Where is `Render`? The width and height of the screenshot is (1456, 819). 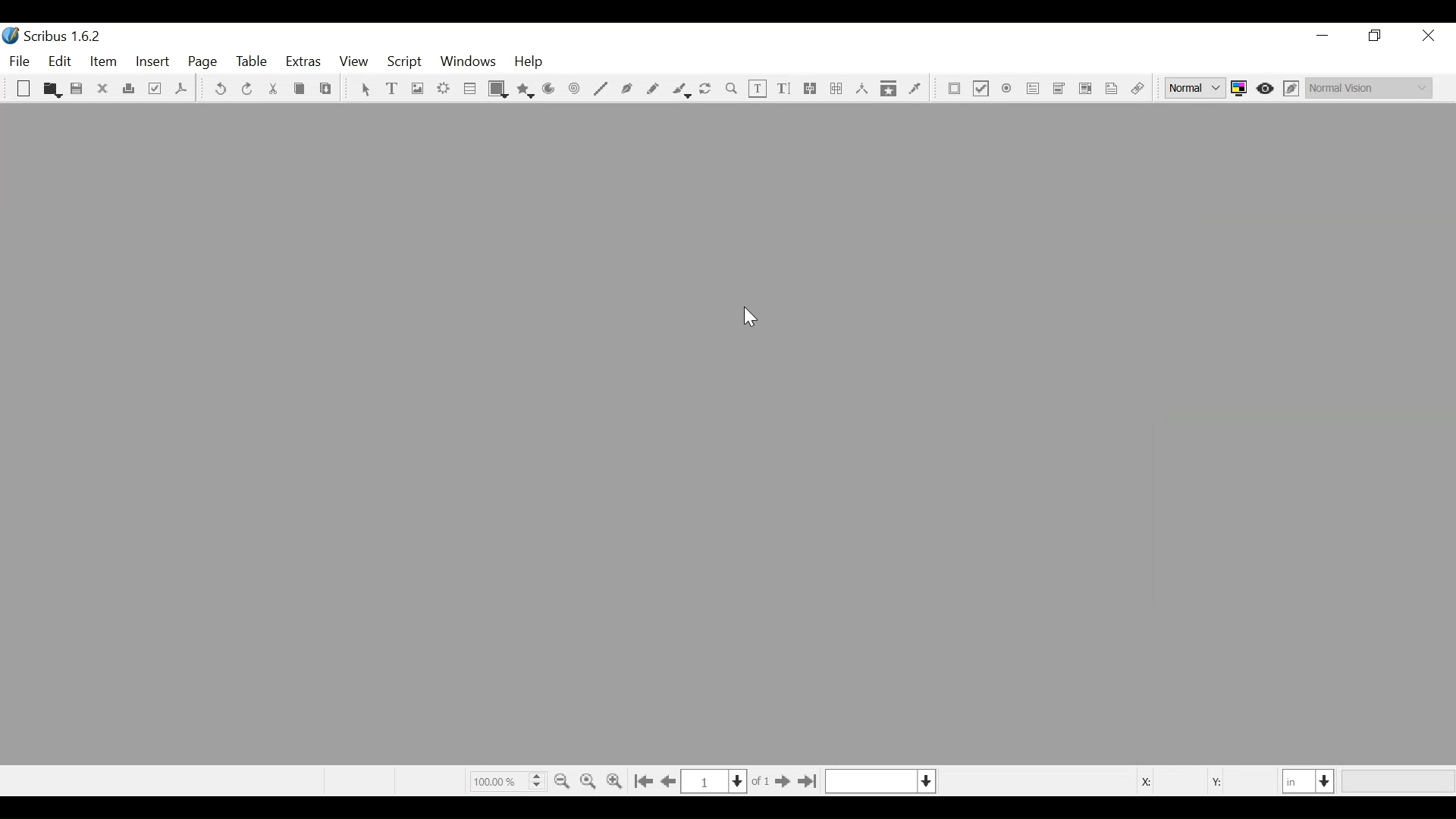 Render is located at coordinates (444, 90).